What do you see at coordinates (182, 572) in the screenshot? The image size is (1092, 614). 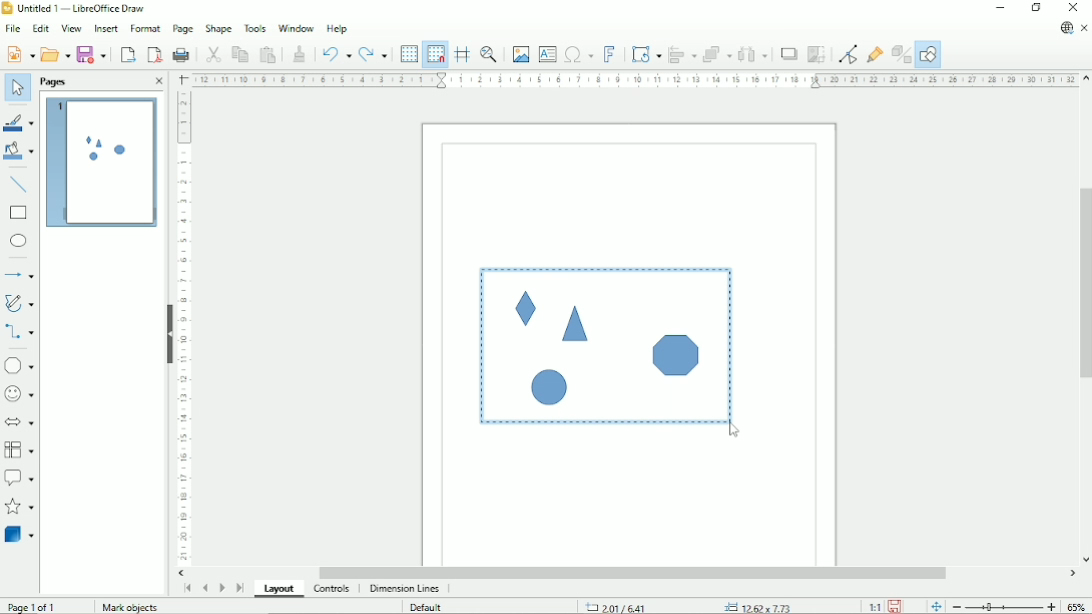 I see `Horizontal scroll button` at bounding box center [182, 572].